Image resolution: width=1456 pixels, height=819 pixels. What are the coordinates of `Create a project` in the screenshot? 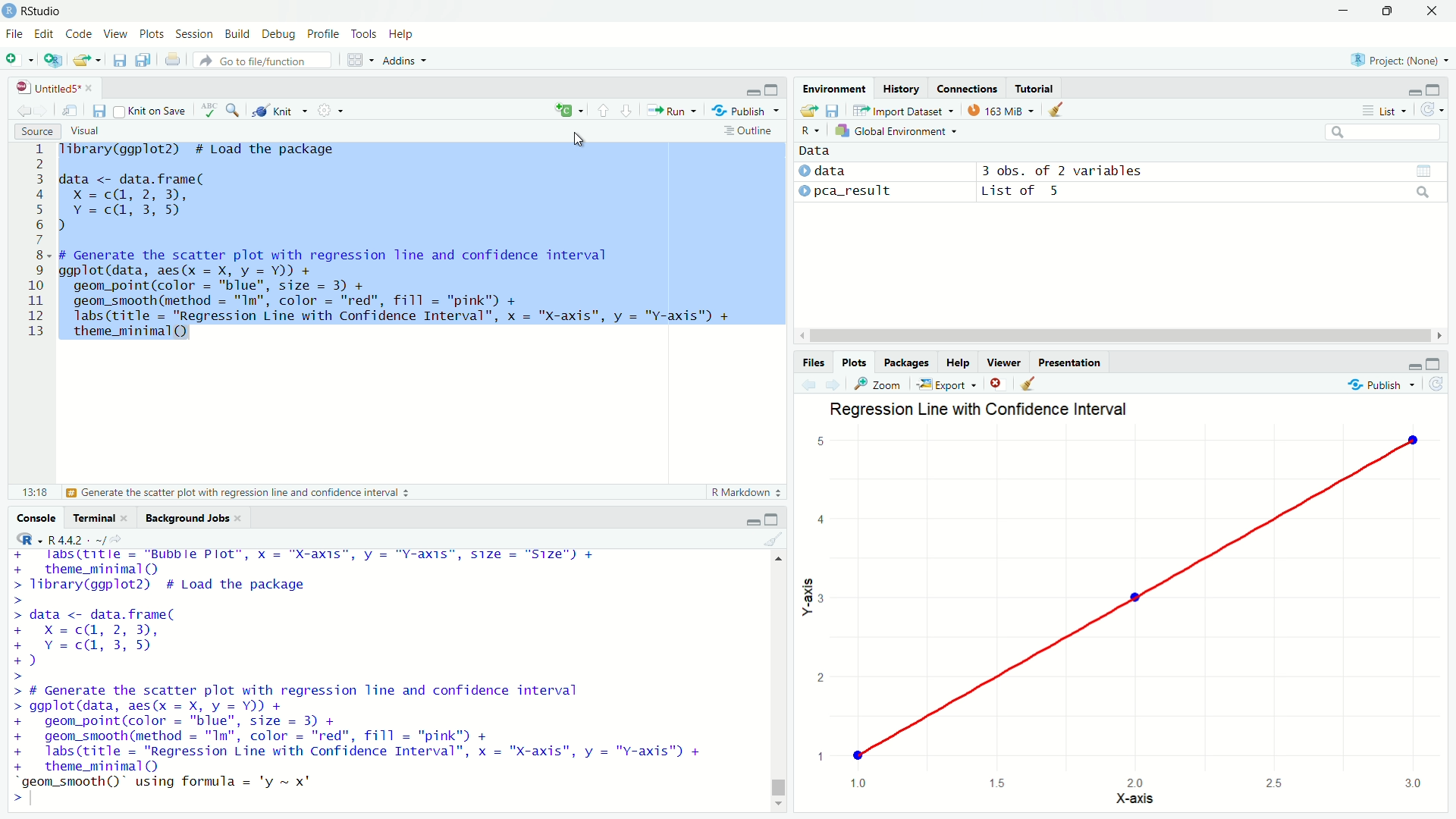 It's located at (52, 60).